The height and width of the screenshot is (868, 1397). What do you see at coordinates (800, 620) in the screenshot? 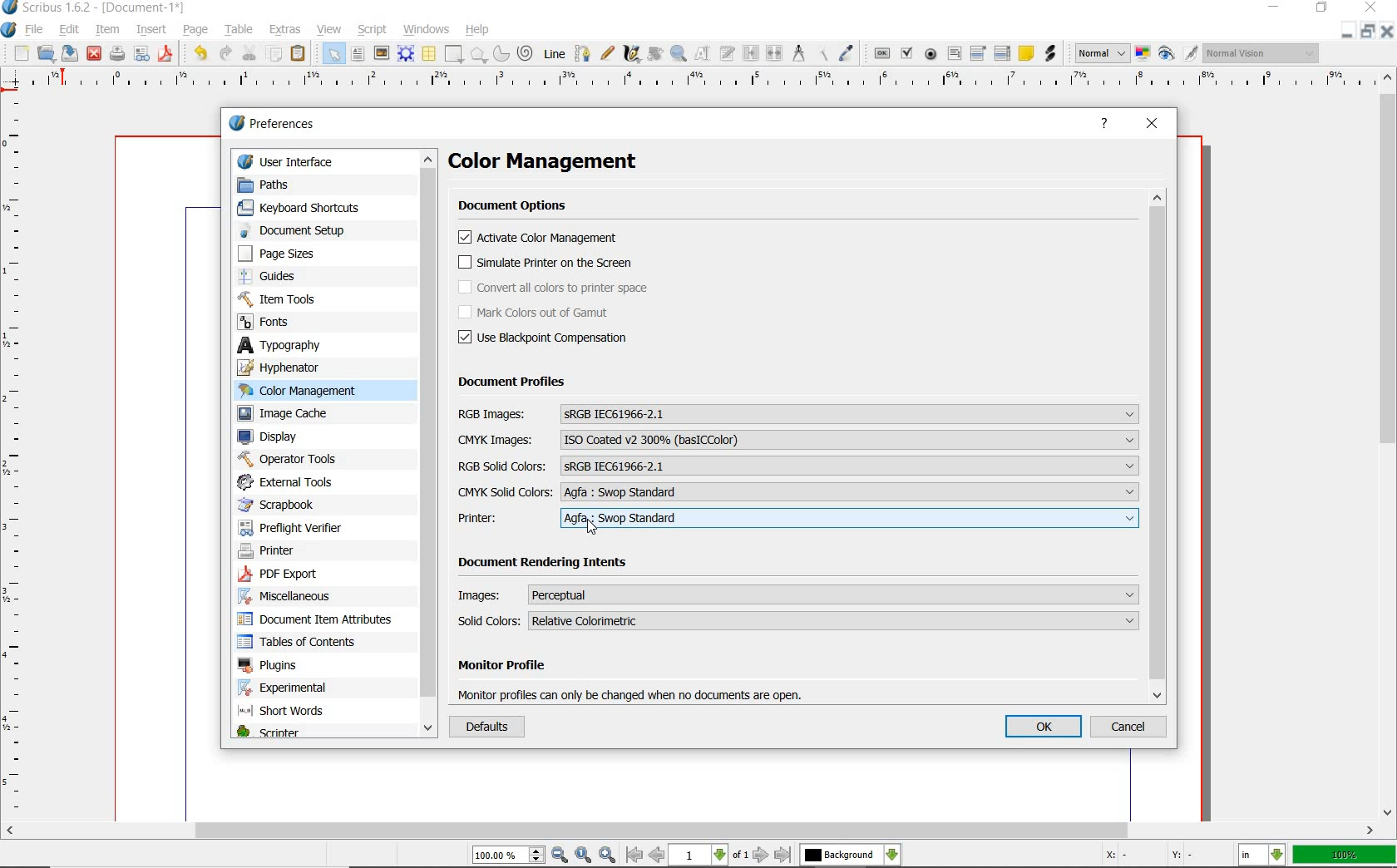
I see `solid colors` at bounding box center [800, 620].